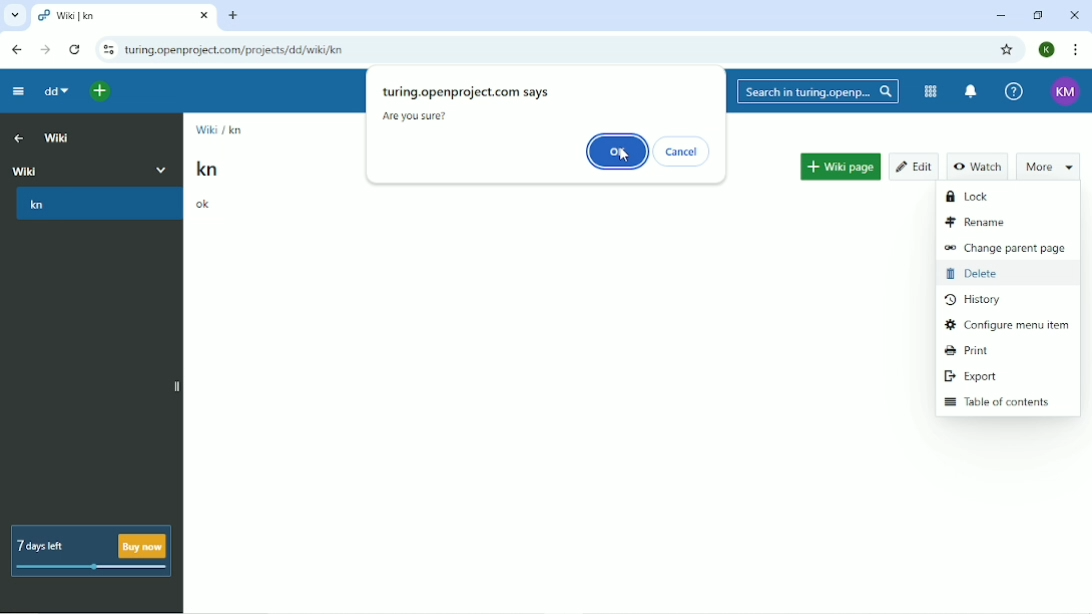 The width and height of the screenshot is (1092, 614). What do you see at coordinates (236, 50) in the screenshot?
I see `Site` at bounding box center [236, 50].